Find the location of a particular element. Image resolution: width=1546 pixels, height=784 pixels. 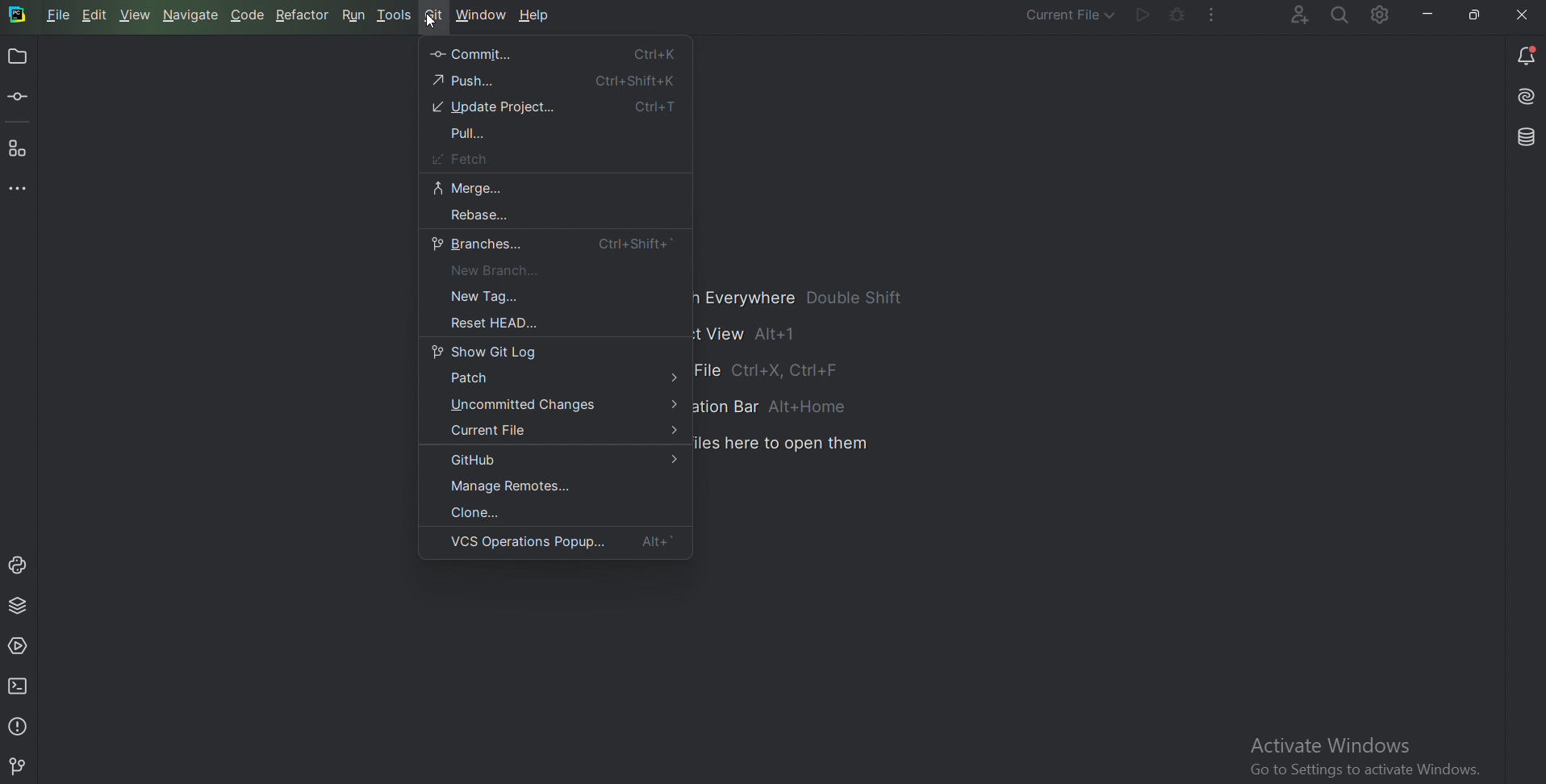

Database is located at coordinates (1523, 137).